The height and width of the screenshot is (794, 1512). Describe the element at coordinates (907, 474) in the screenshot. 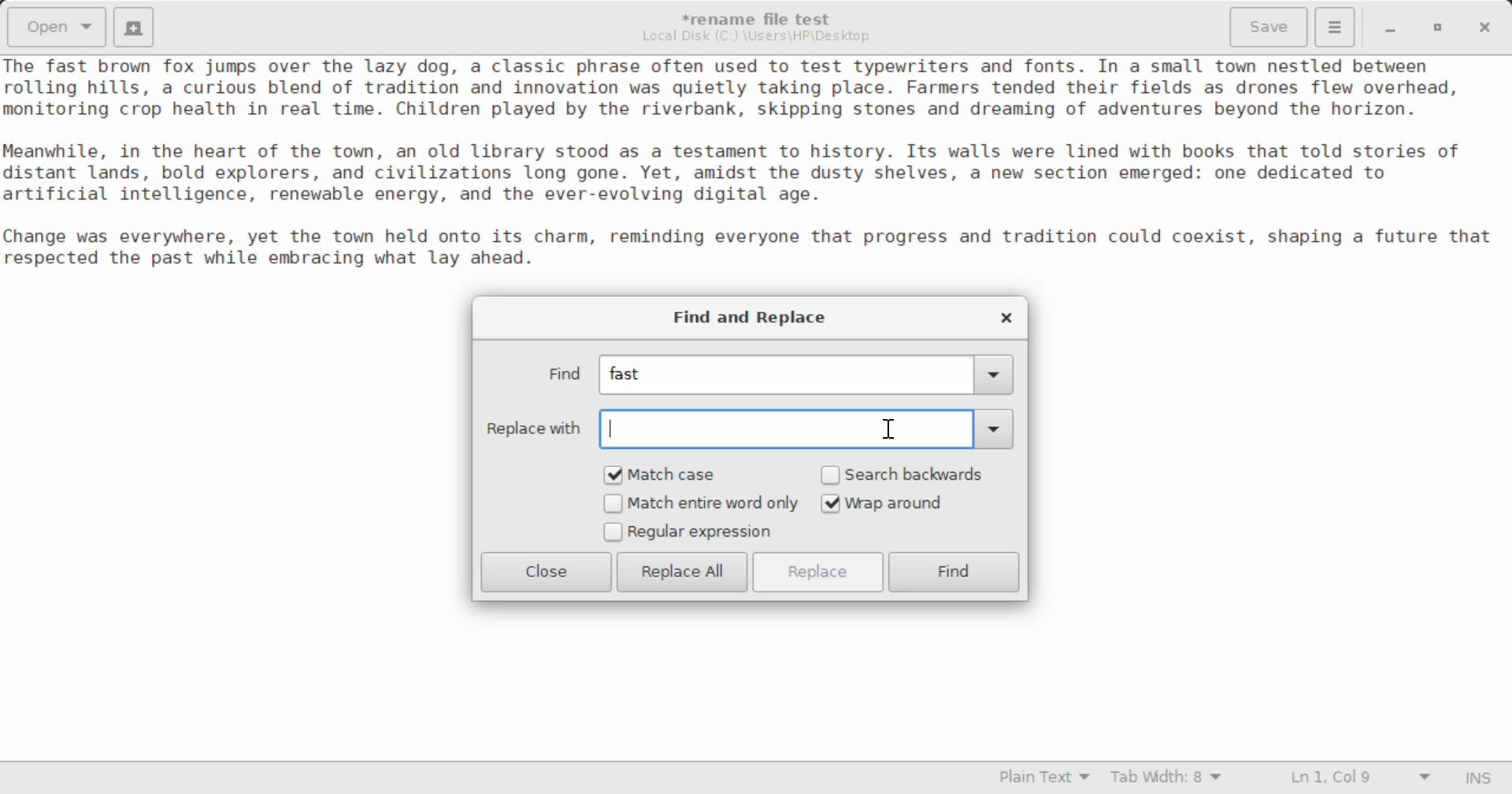

I see `Search backwards` at that location.